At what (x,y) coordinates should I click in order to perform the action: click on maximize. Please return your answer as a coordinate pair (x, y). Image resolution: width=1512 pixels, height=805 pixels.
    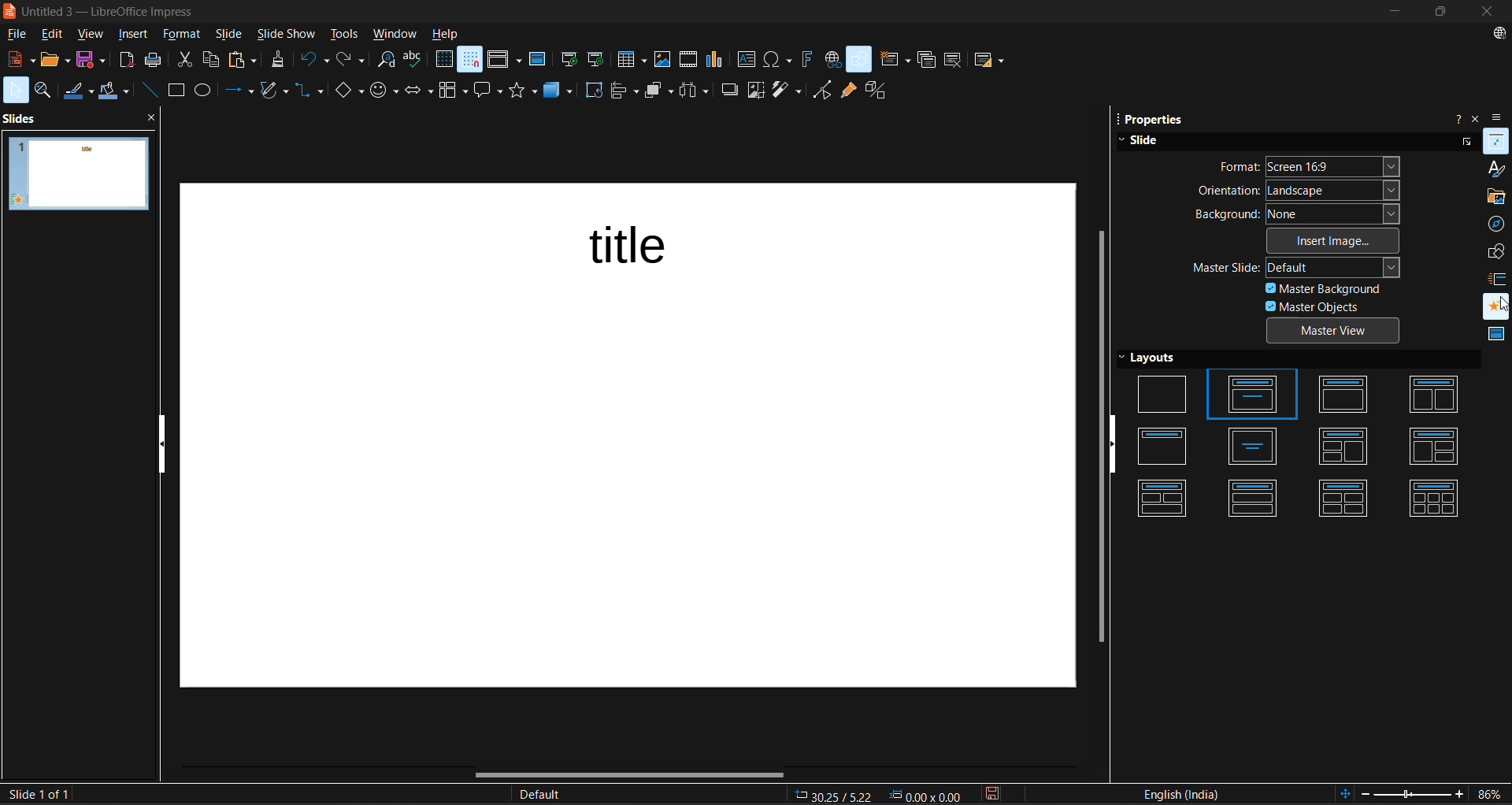
    Looking at the image, I should click on (1437, 14).